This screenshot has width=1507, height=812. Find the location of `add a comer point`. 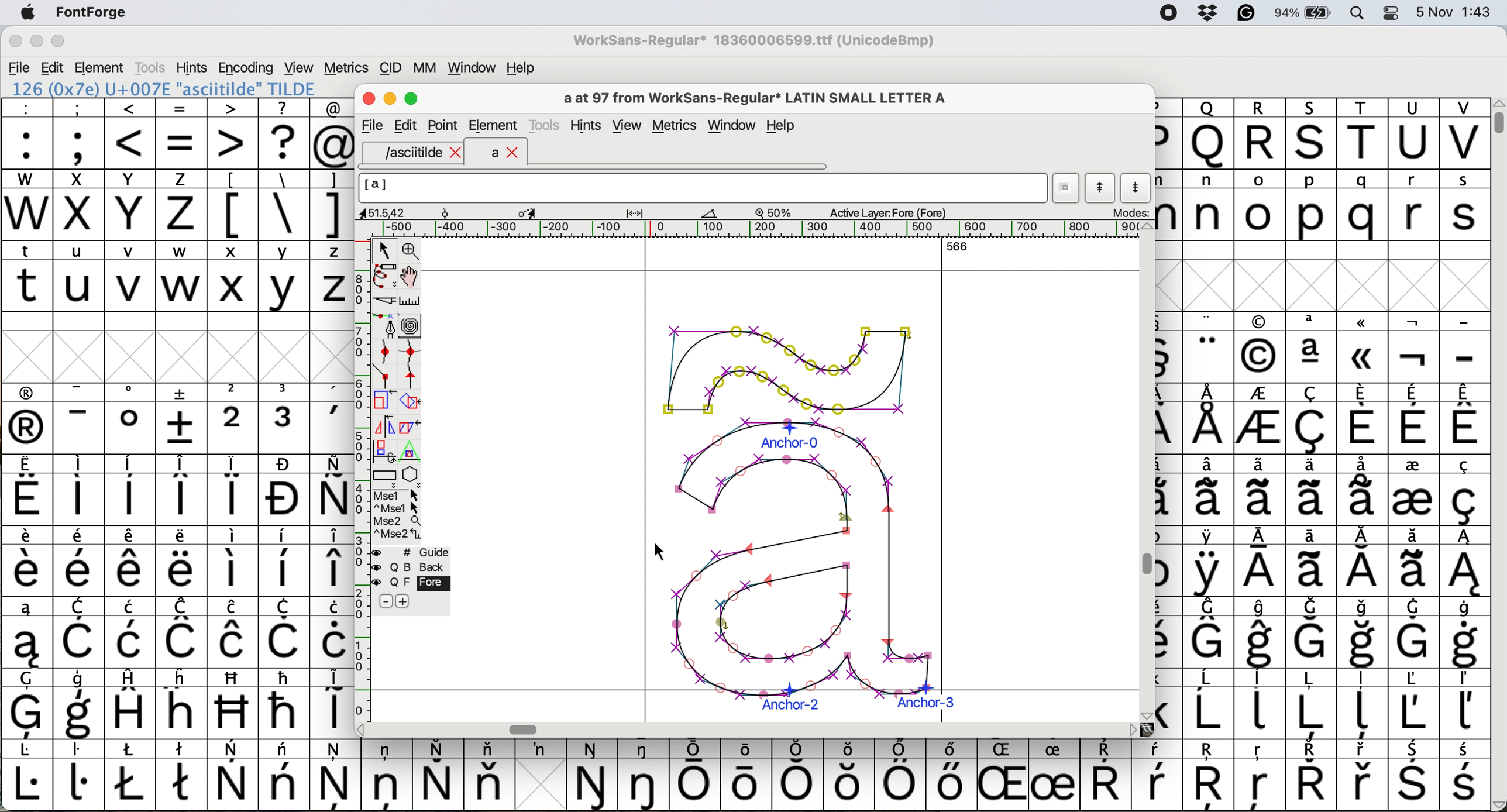

add a comer point is located at coordinates (386, 376).